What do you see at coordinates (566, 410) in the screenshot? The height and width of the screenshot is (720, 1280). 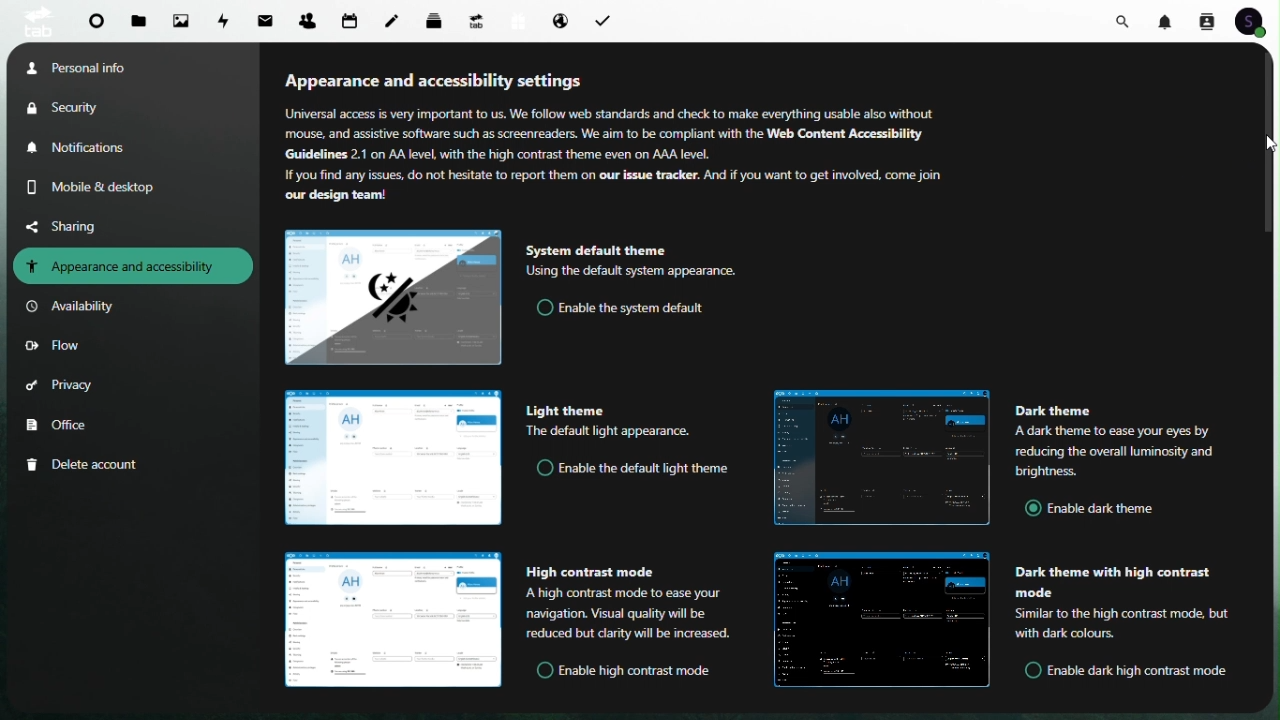 I see `Light theme` at bounding box center [566, 410].